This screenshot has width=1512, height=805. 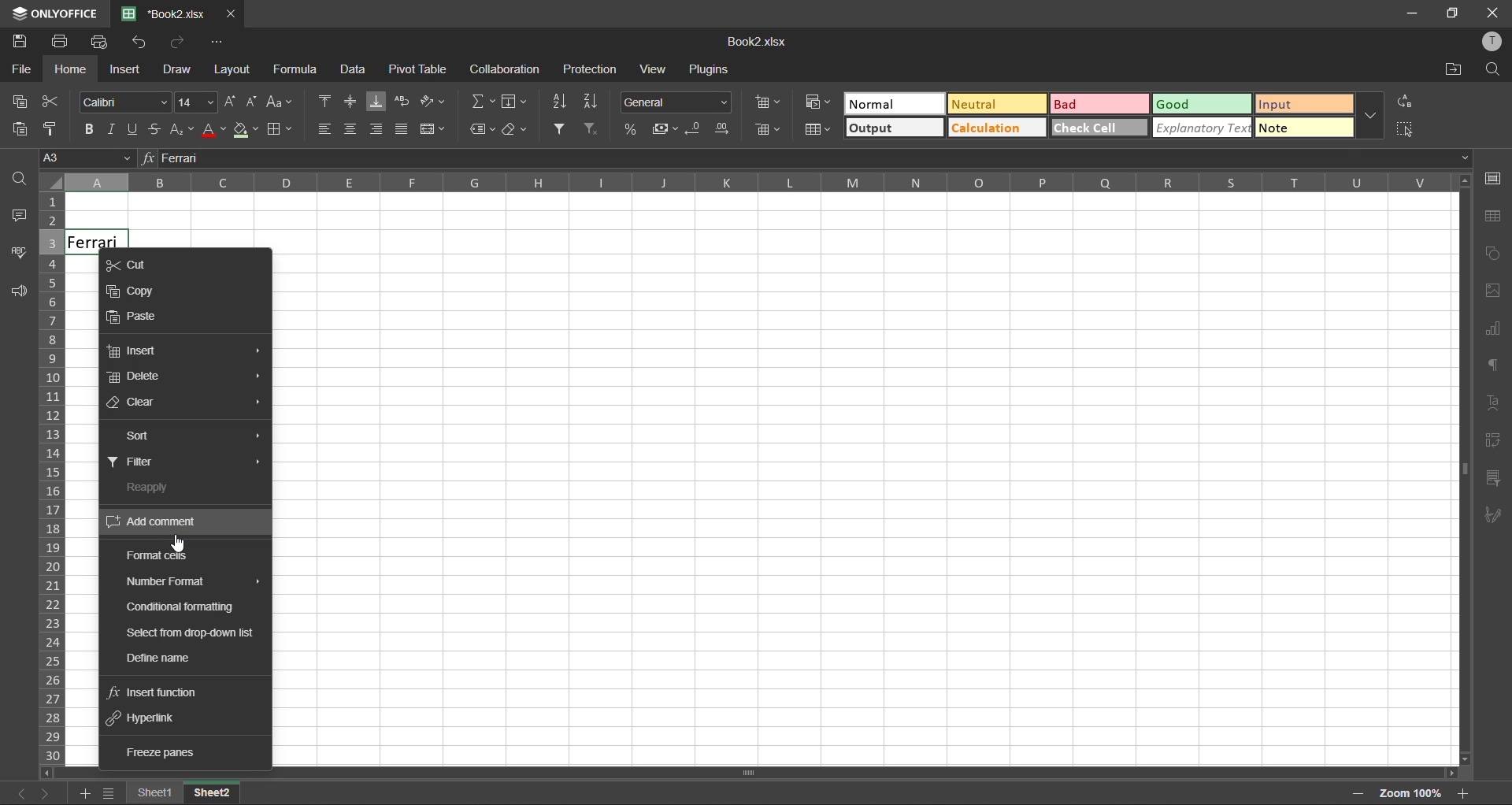 What do you see at coordinates (161, 658) in the screenshot?
I see `define name` at bounding box center [161, 658].